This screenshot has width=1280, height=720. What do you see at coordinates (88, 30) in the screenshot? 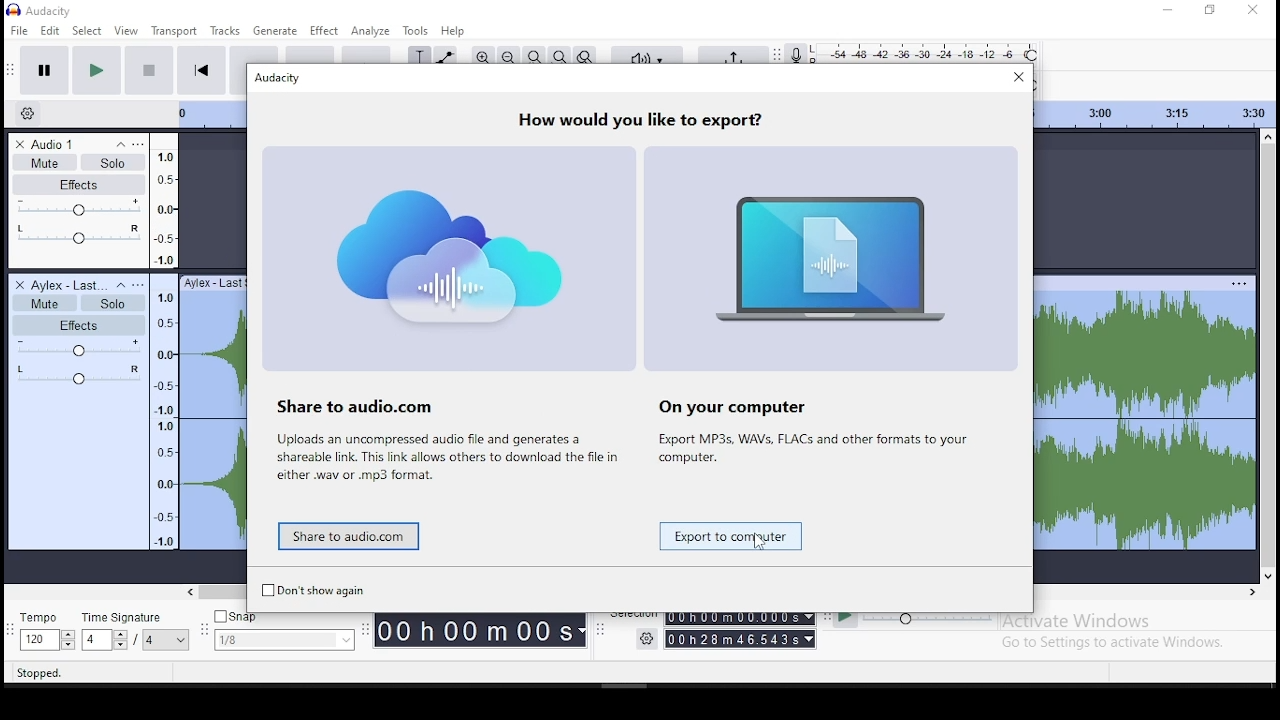
I see `select` at bounding box center [88, 30].